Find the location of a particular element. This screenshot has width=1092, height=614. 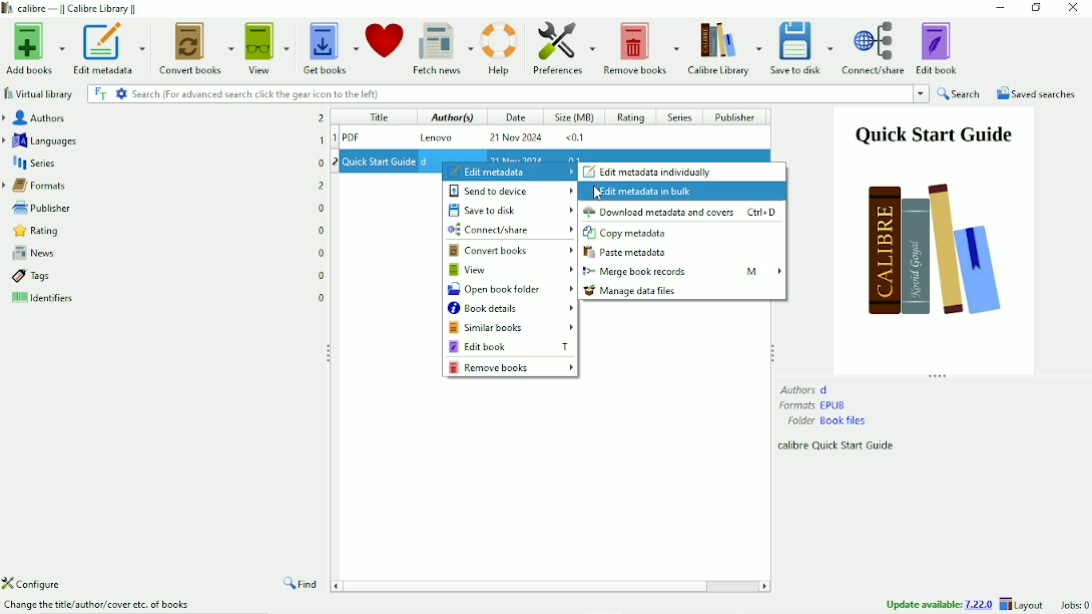

Resize is located at coordinates (330, 353).